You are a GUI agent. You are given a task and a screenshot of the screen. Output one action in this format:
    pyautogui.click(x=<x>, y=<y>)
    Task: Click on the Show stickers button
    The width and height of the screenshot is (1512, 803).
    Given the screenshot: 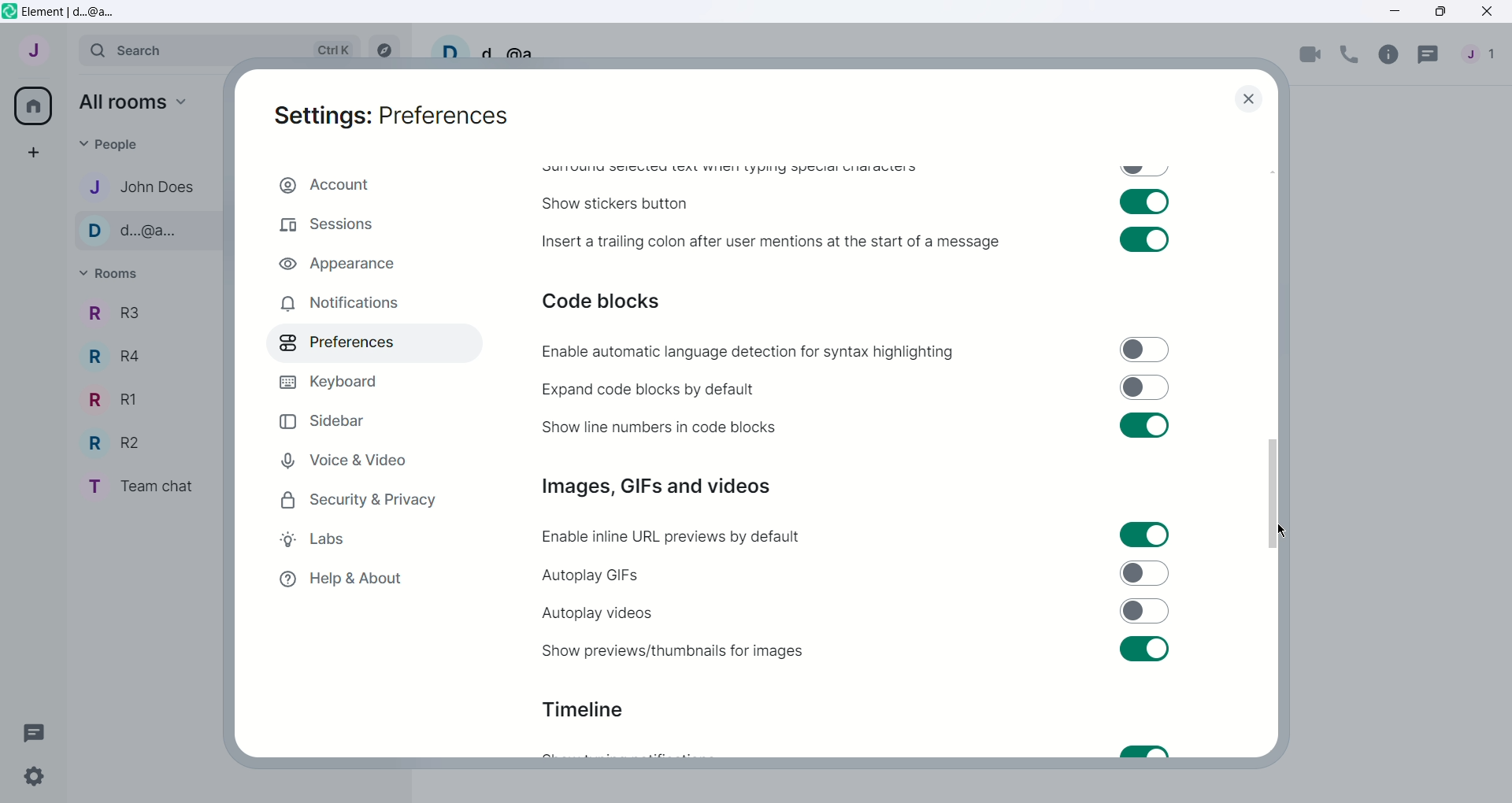 What is the action you would take?
    pyautogui.click(x=614, y=204)
    